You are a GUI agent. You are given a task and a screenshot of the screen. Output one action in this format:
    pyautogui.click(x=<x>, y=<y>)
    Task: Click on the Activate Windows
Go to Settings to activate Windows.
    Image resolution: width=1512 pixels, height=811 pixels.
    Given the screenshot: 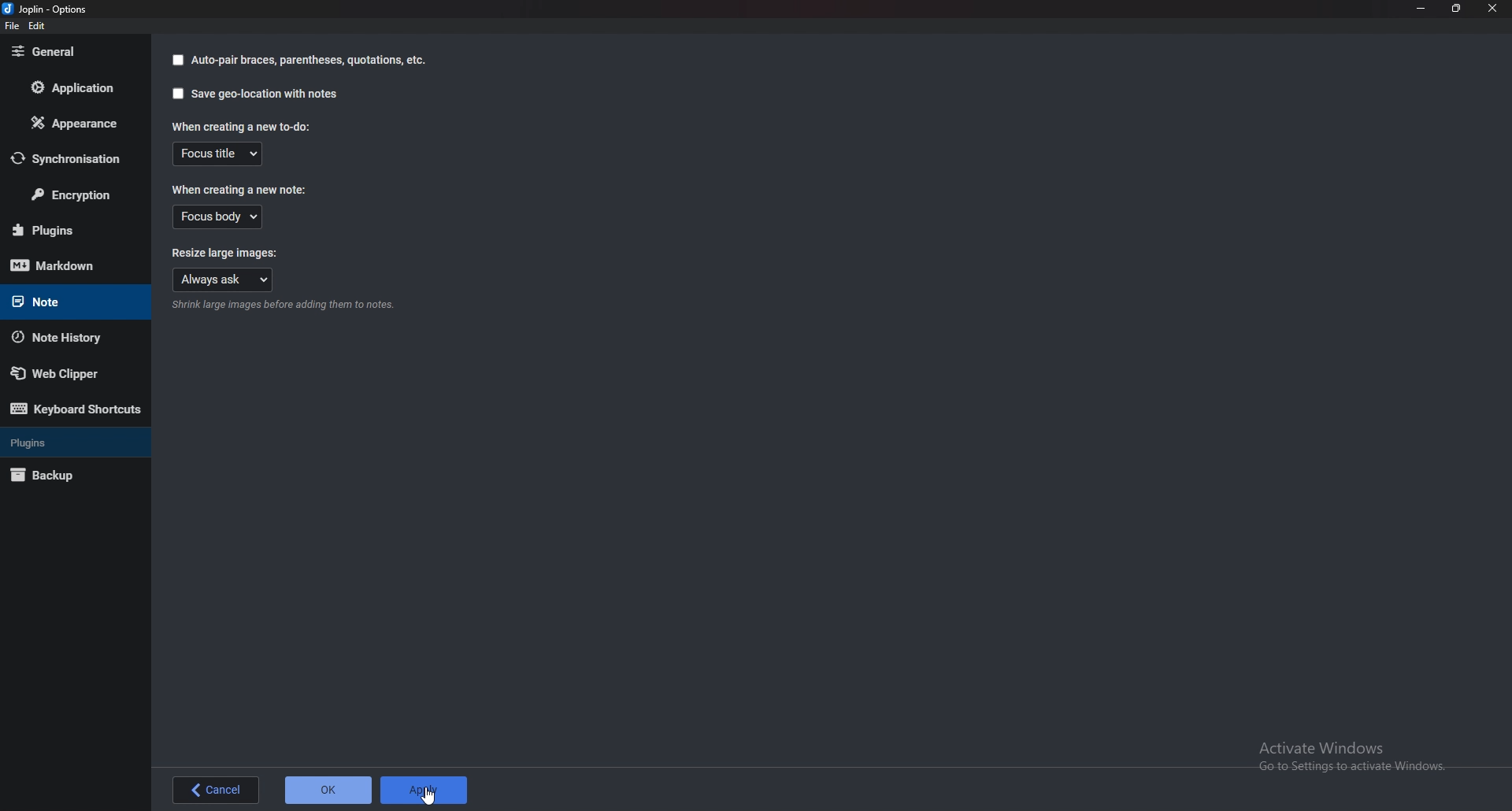 What is the action you would take?
    pyautogui.click(x=1358, y=759)
    